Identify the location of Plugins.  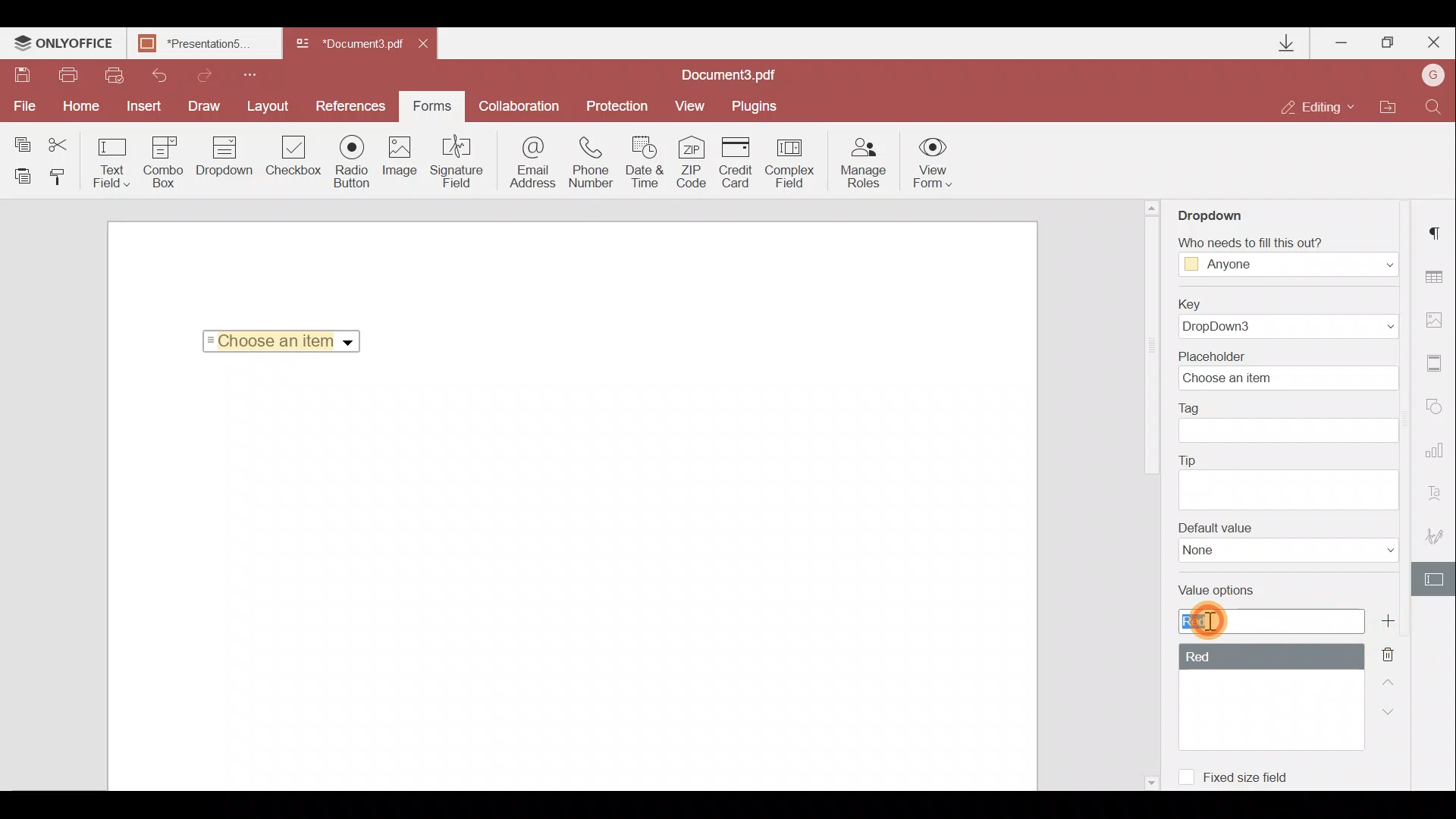
(756, 107).